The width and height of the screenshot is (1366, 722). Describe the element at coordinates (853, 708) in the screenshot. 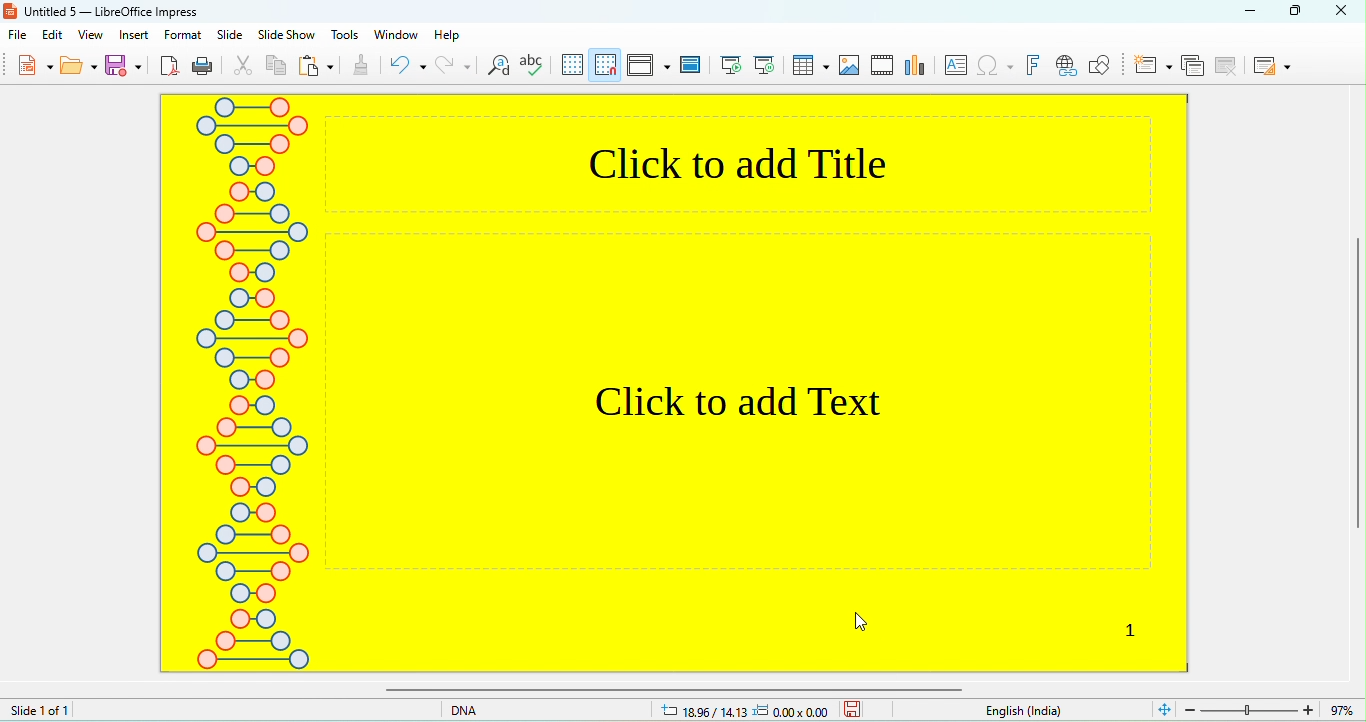

I see `save` at that location.